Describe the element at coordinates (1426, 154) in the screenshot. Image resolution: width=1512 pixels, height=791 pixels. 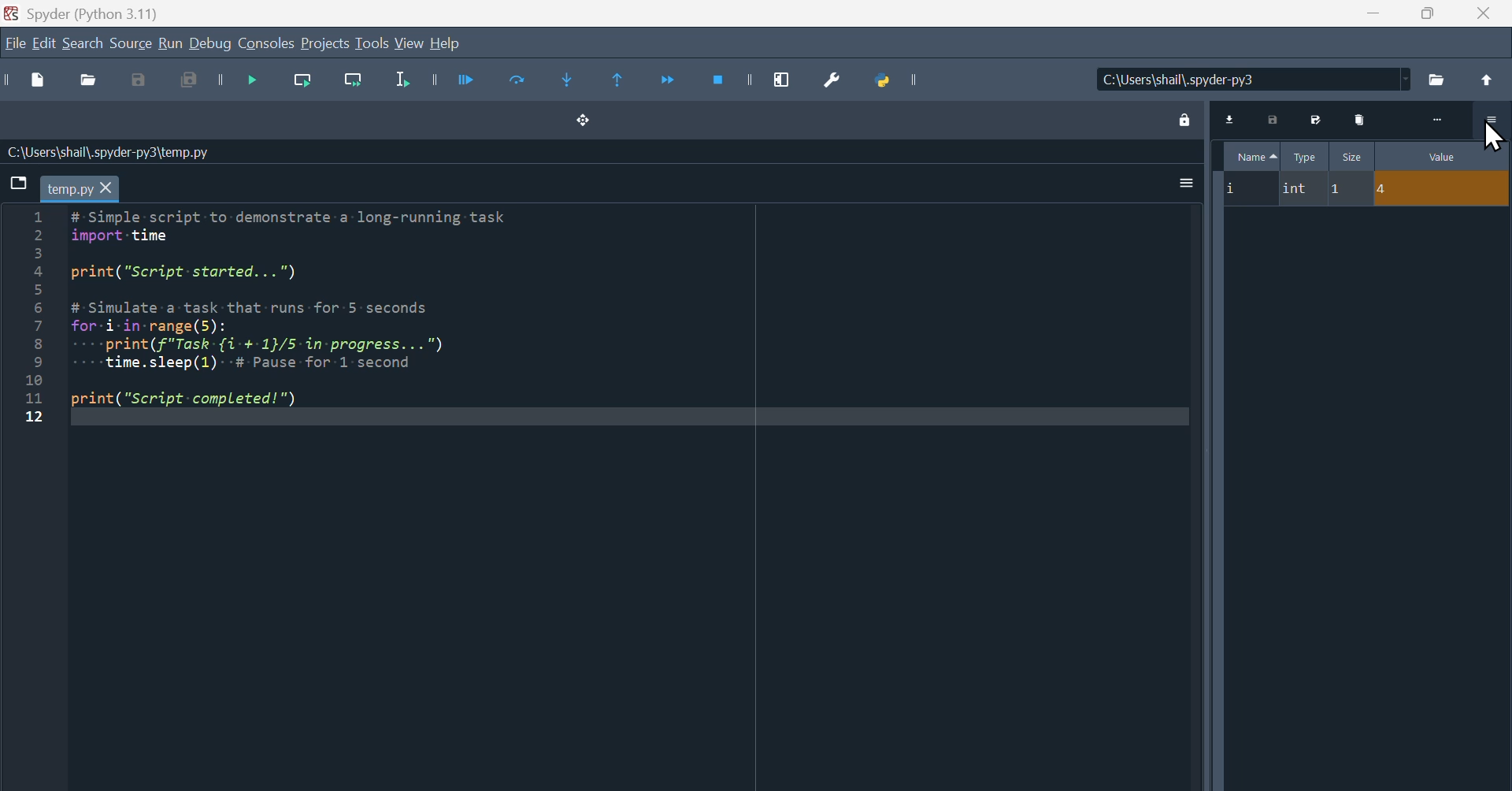
I see `Value` at that location.